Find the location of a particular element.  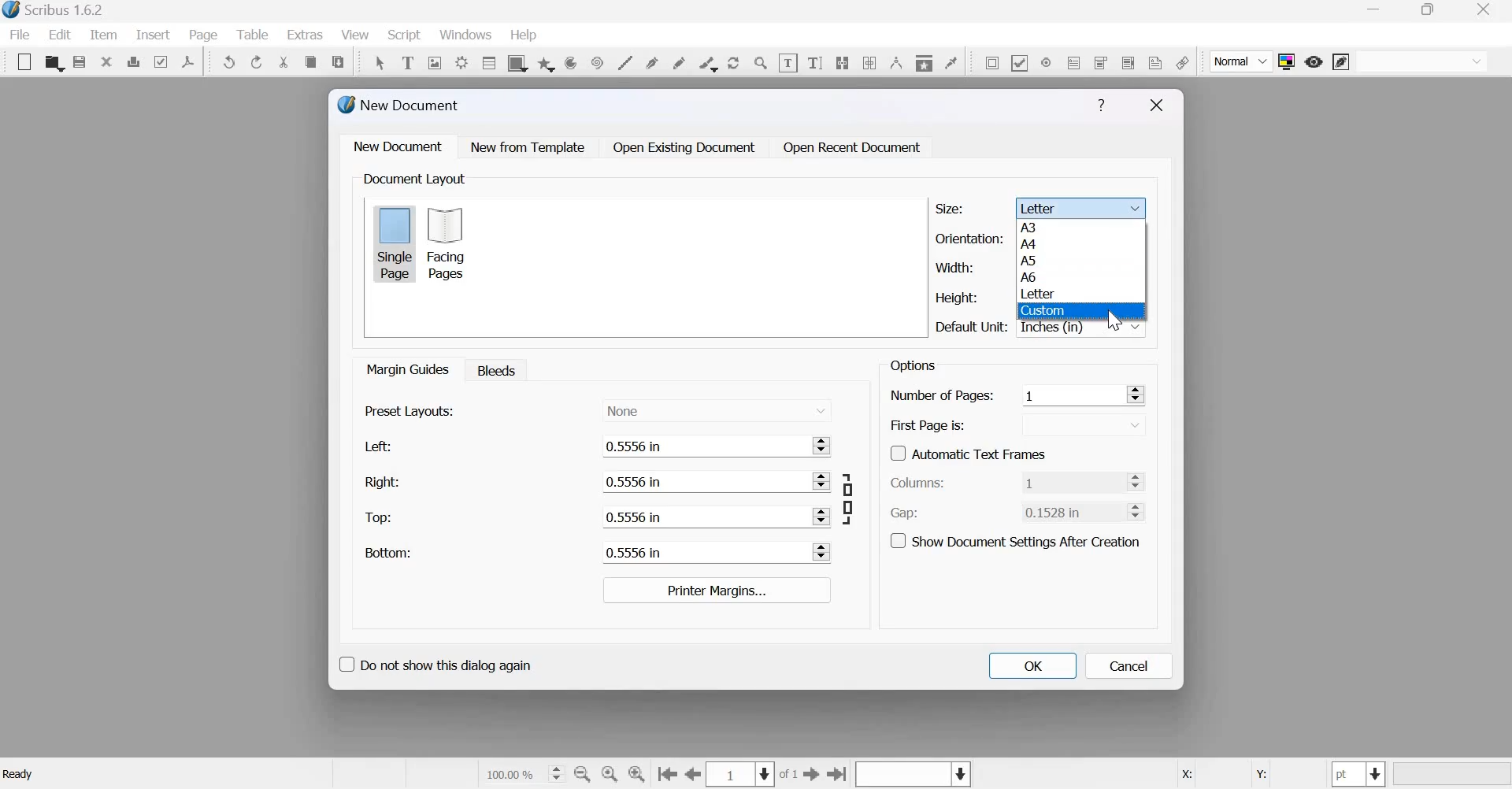

First Page is: is located at coordinates (928, 424).